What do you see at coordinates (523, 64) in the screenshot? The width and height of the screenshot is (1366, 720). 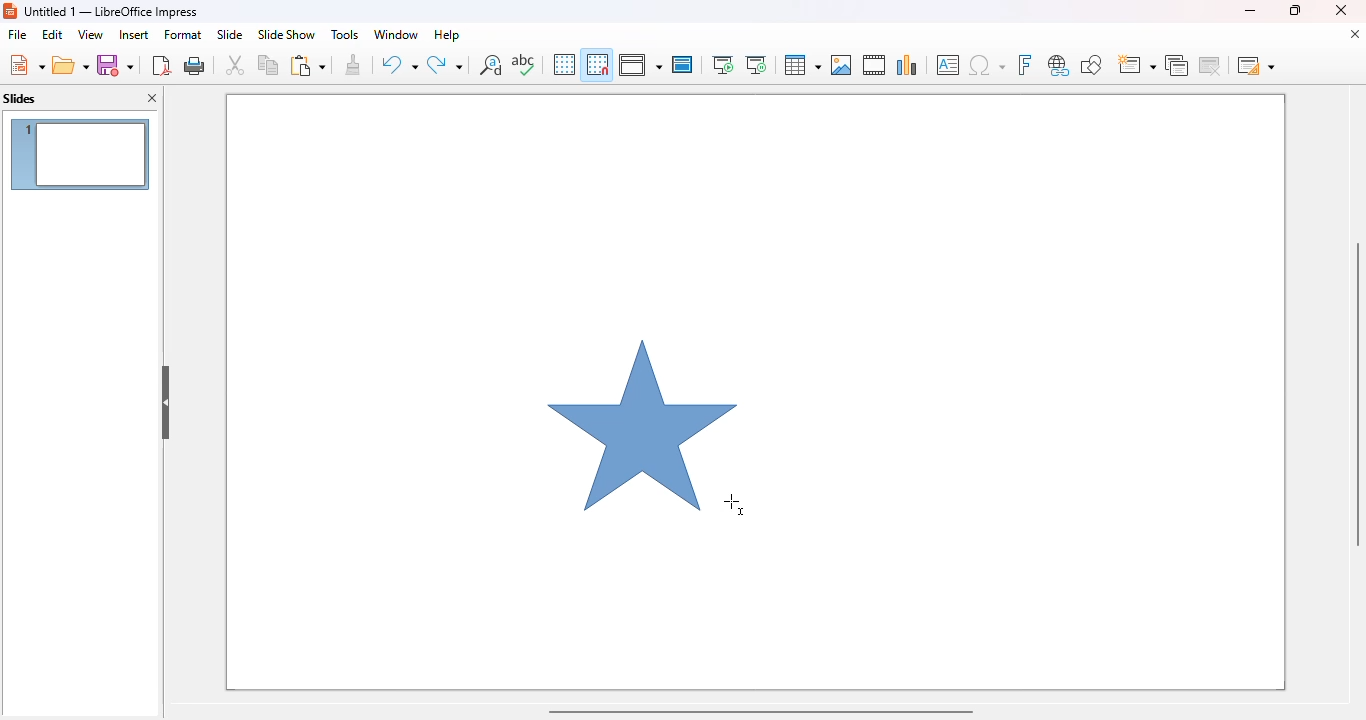 I see `spelling` at bounding box center [523, 64].